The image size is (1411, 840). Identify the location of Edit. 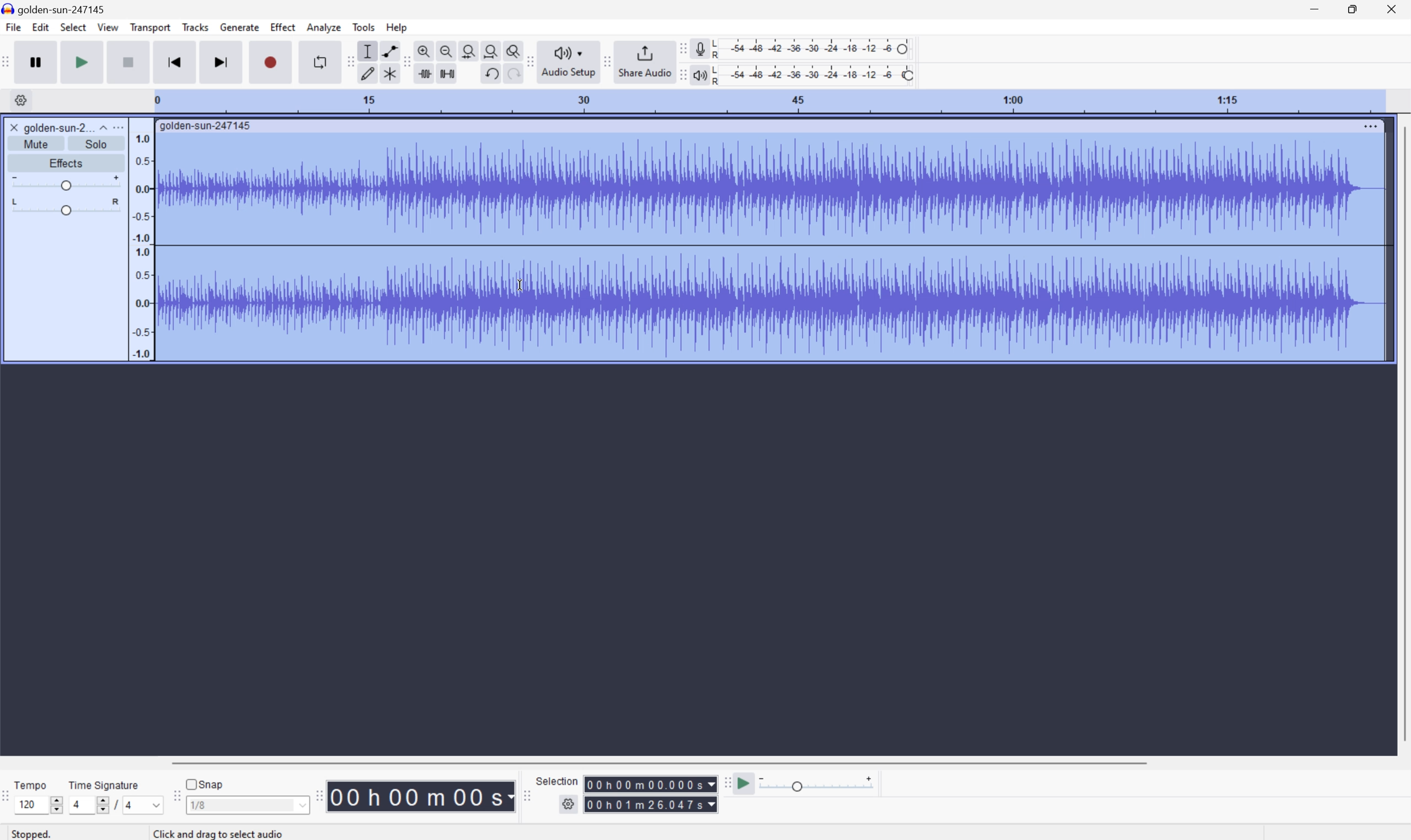
(41, 27).